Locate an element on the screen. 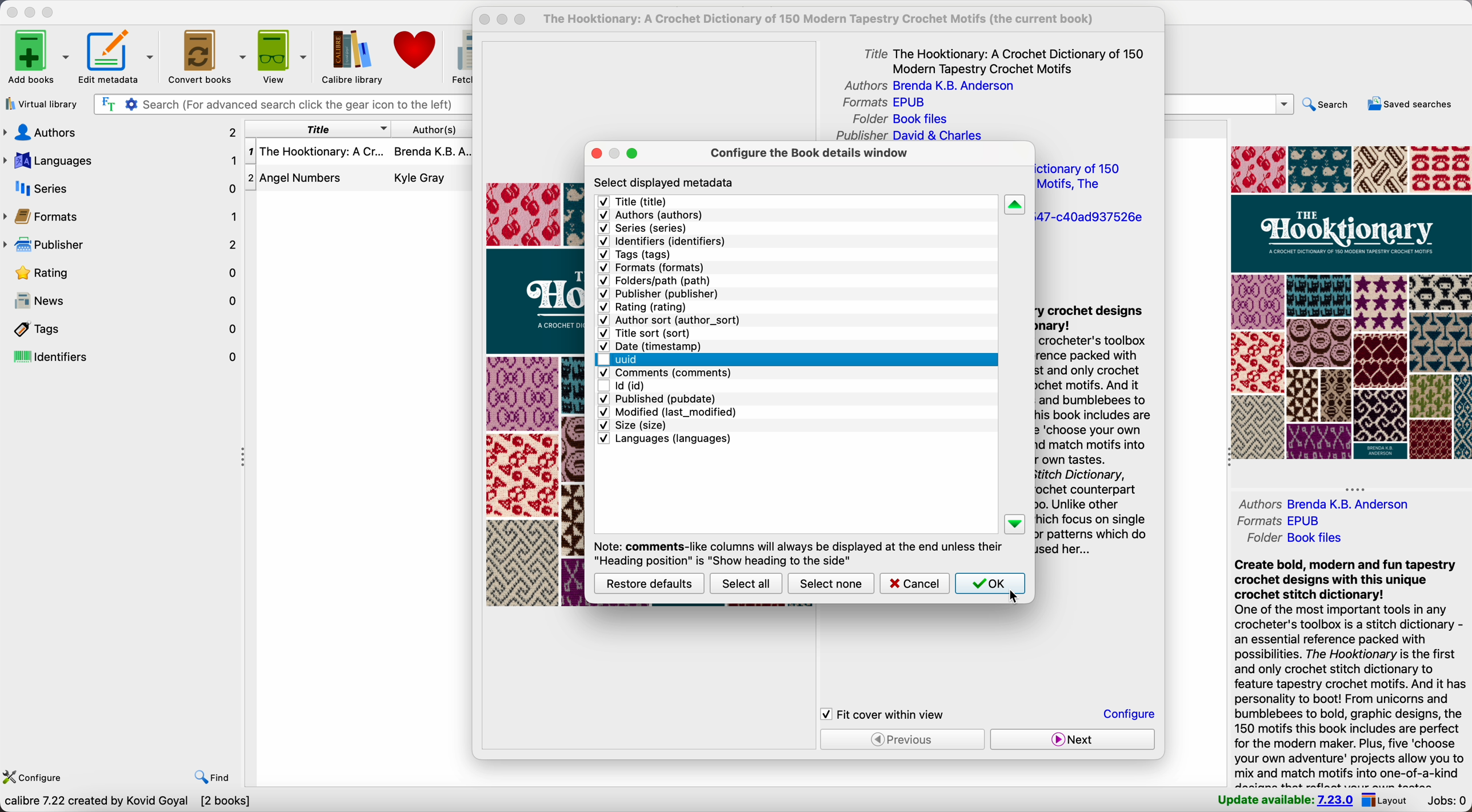  select all is located at coordinates (745, 583).